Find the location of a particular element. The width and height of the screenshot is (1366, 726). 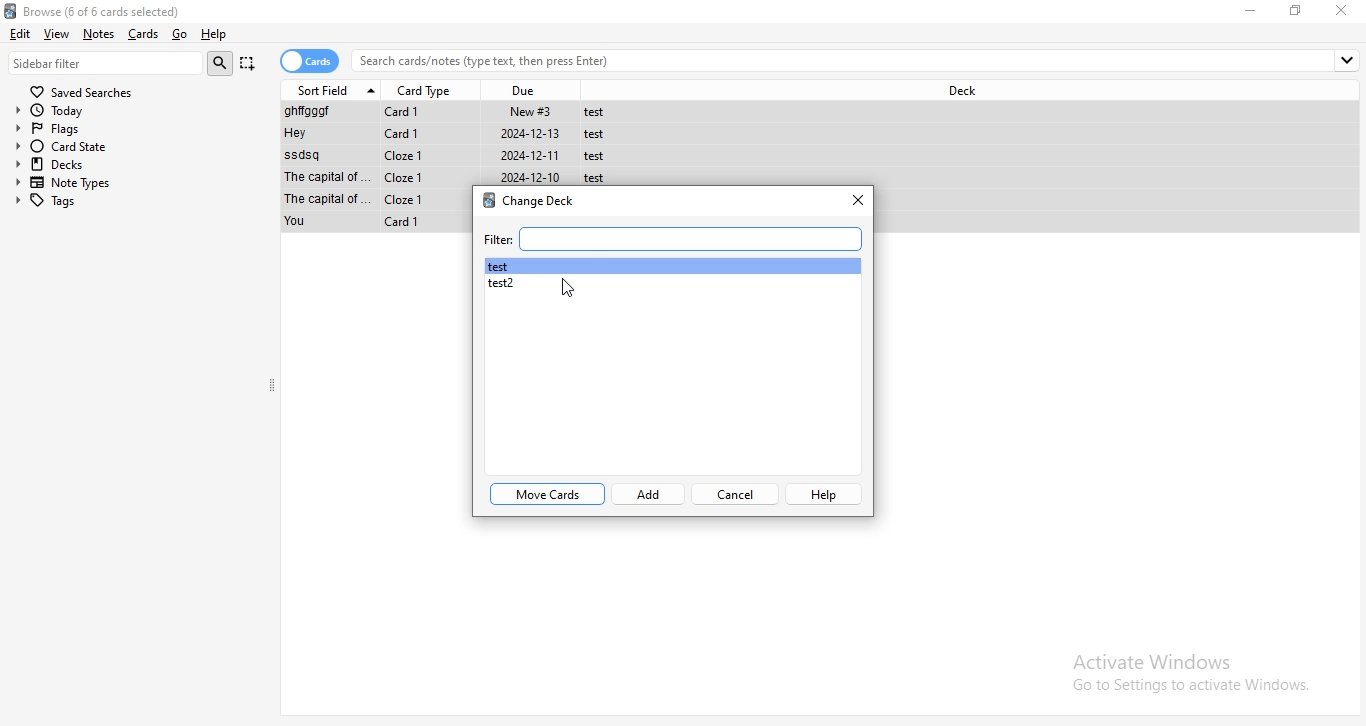

File is located at coordinates (453, 112).